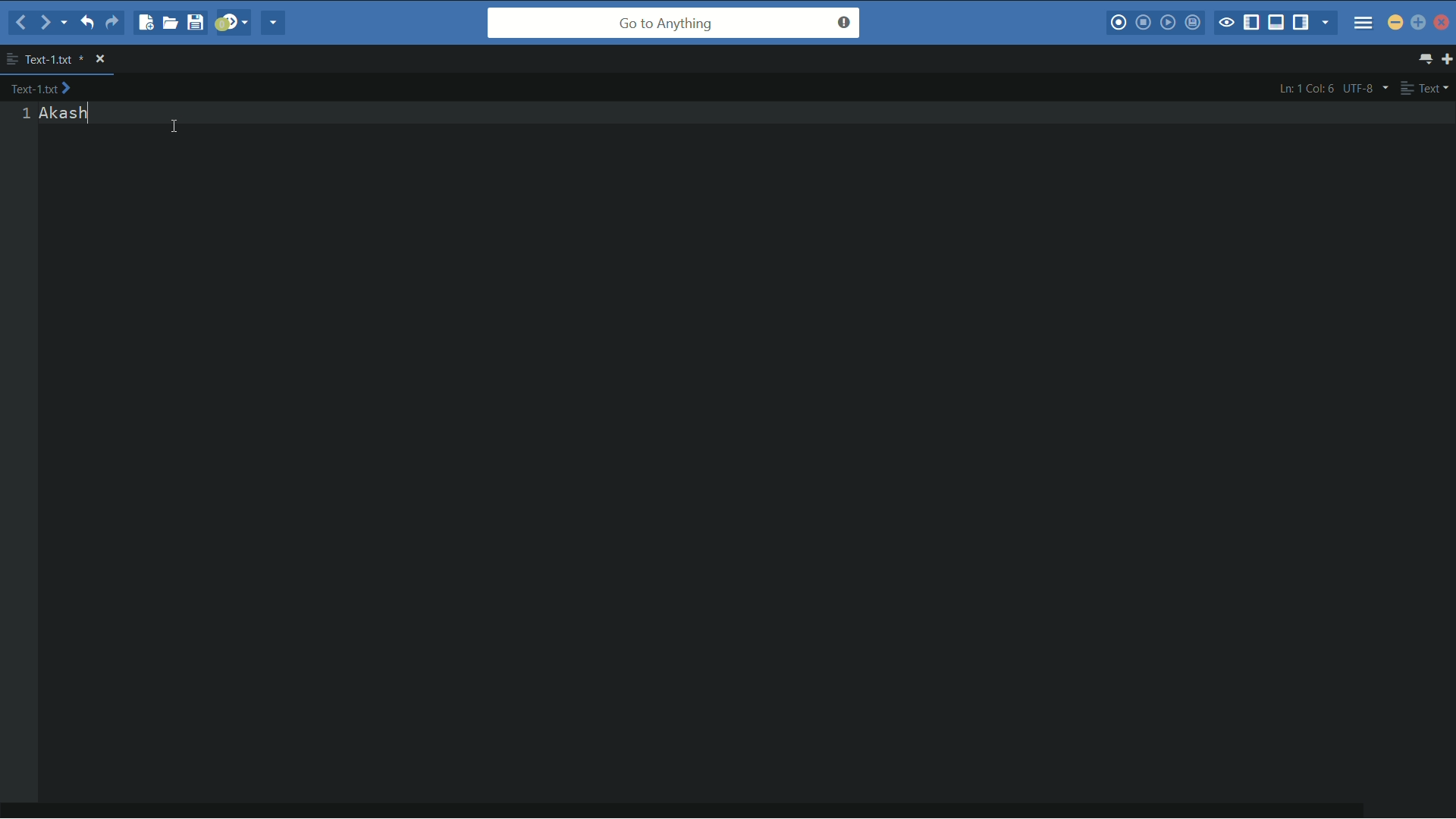  I want to click on maximize, so click(1418, 22).